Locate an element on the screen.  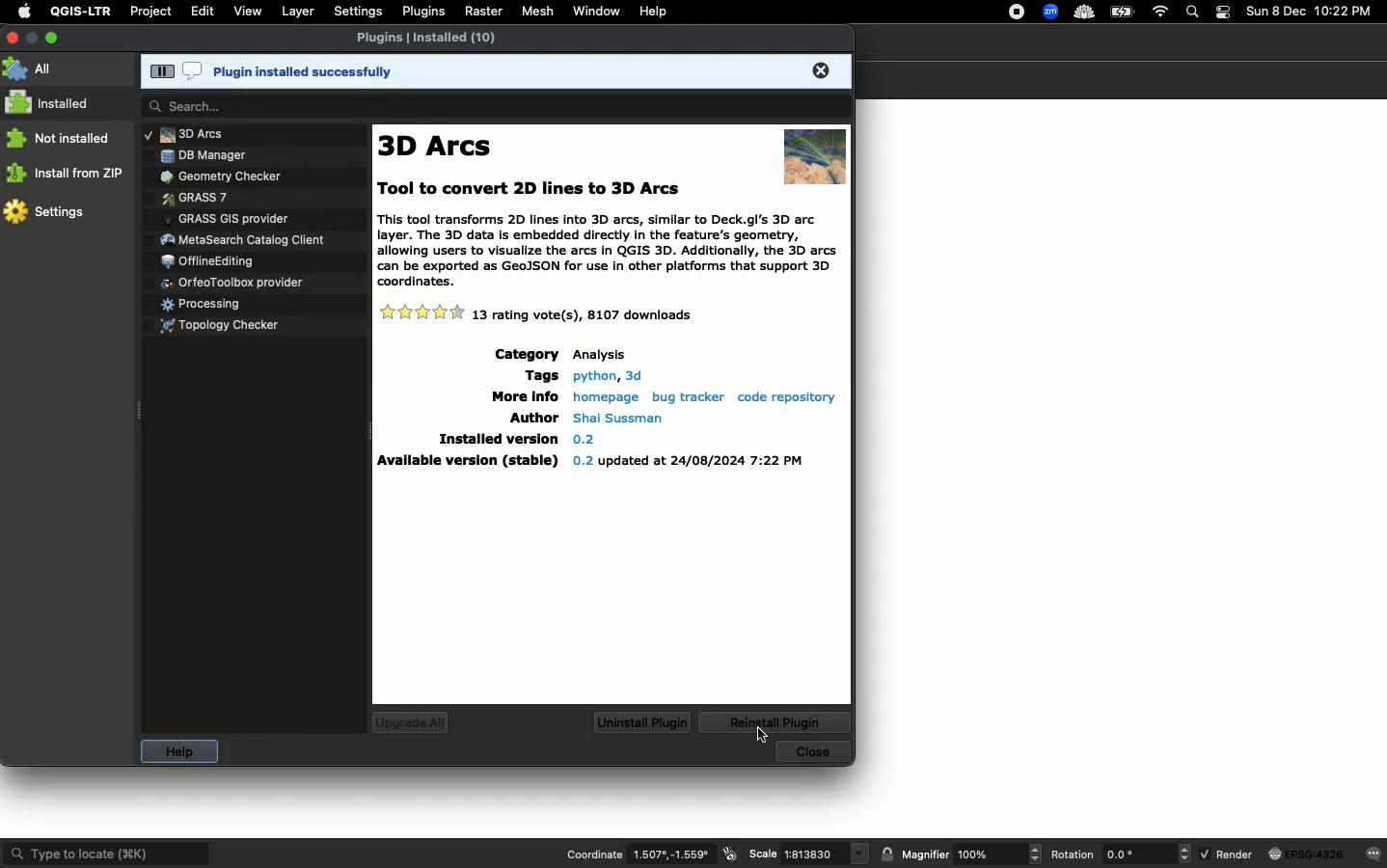
Internet is located at coordinates (1159, 11).